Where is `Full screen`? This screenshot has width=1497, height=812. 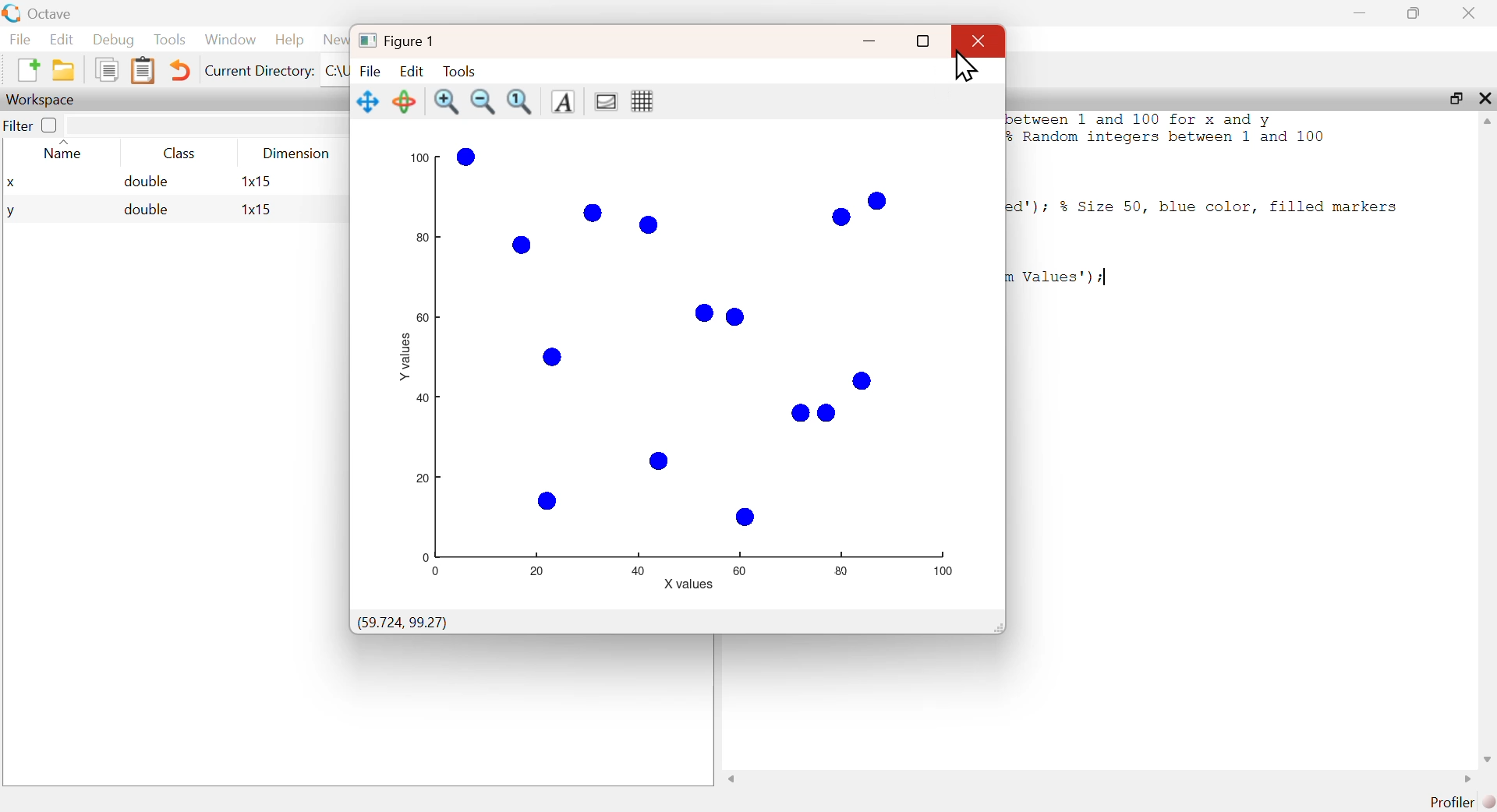
Full screen is located at coordinates (922, 41).